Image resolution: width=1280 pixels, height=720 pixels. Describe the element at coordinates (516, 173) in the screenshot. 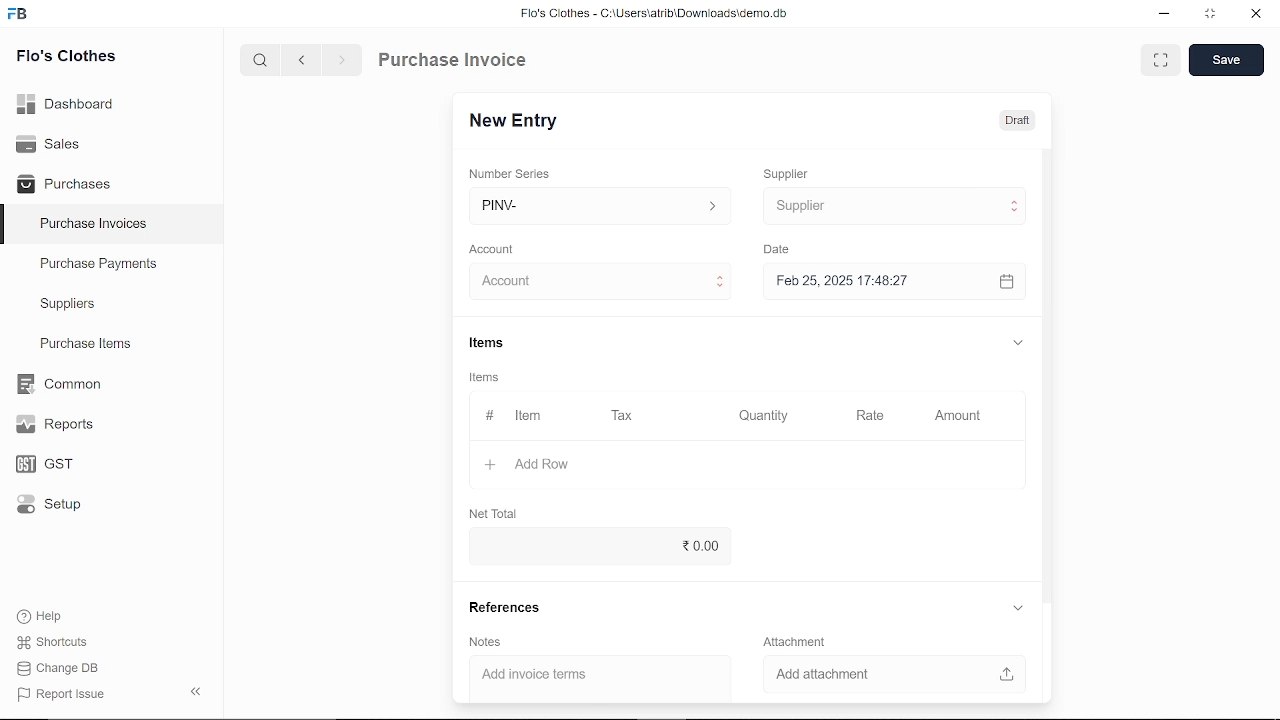

I see `‘Number Series` at that location.